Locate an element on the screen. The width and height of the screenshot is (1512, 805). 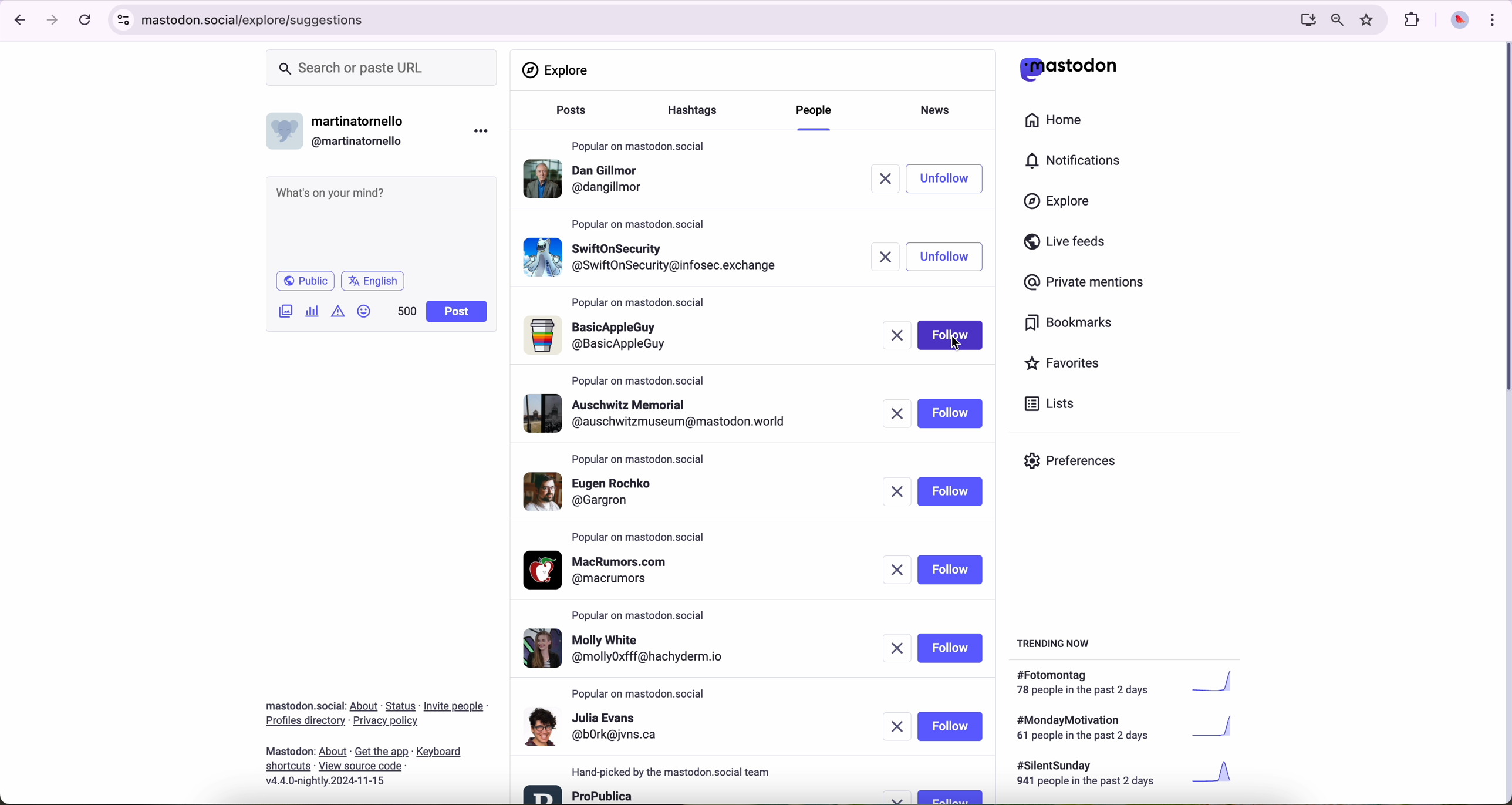
profile is located at coordinates (588, 181).